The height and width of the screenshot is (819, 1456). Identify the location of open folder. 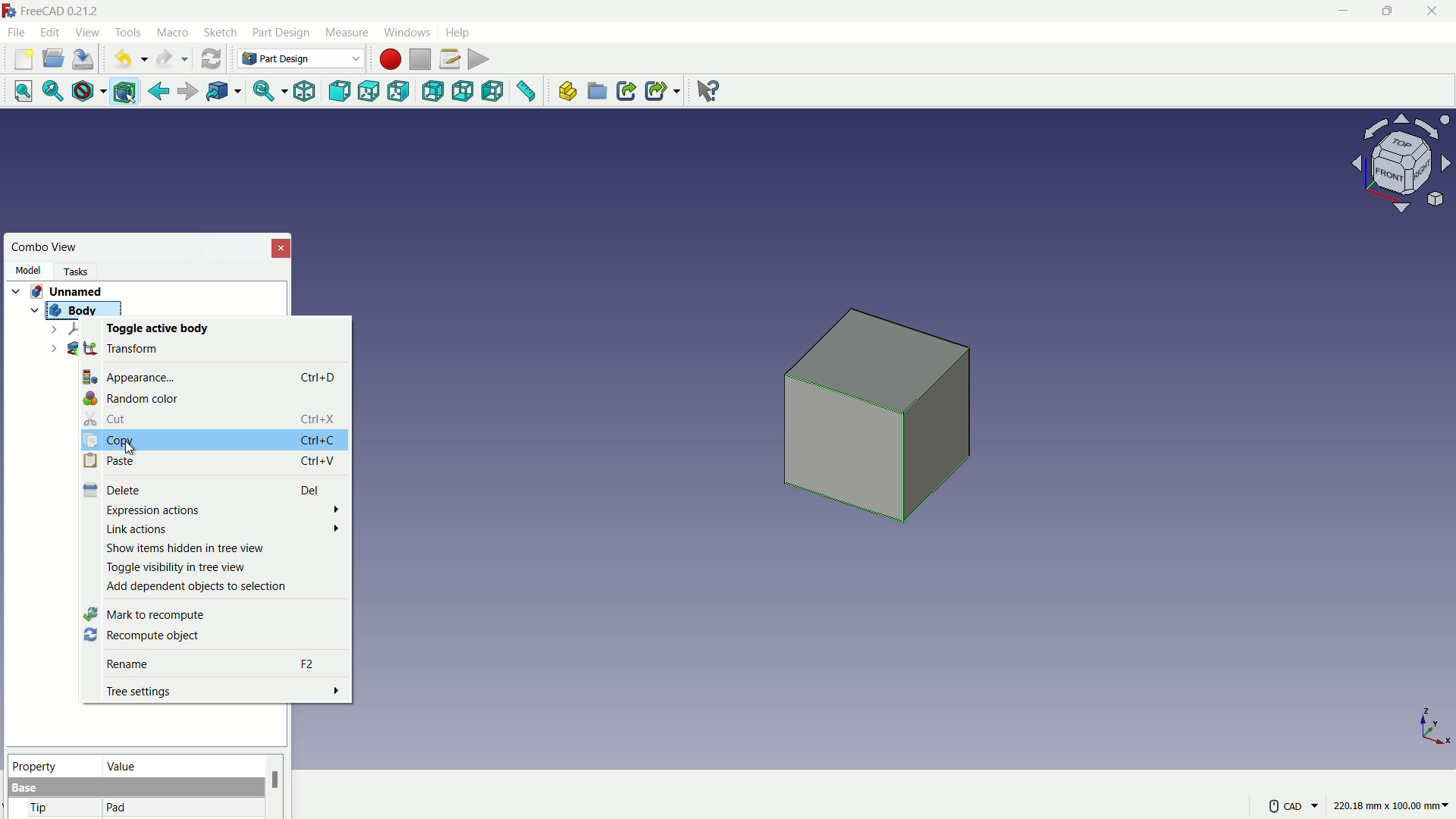
(53, 59).